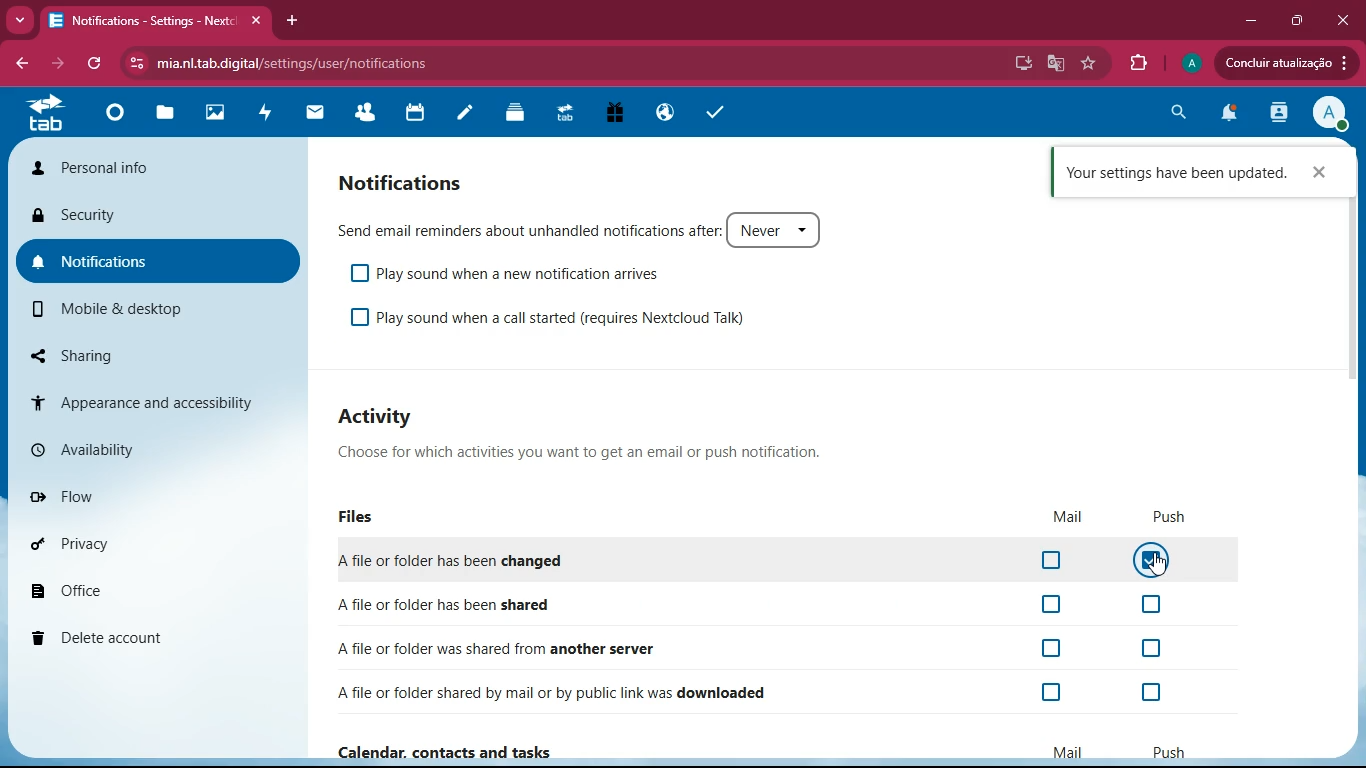  I want to click on push, so click(1170, 516).